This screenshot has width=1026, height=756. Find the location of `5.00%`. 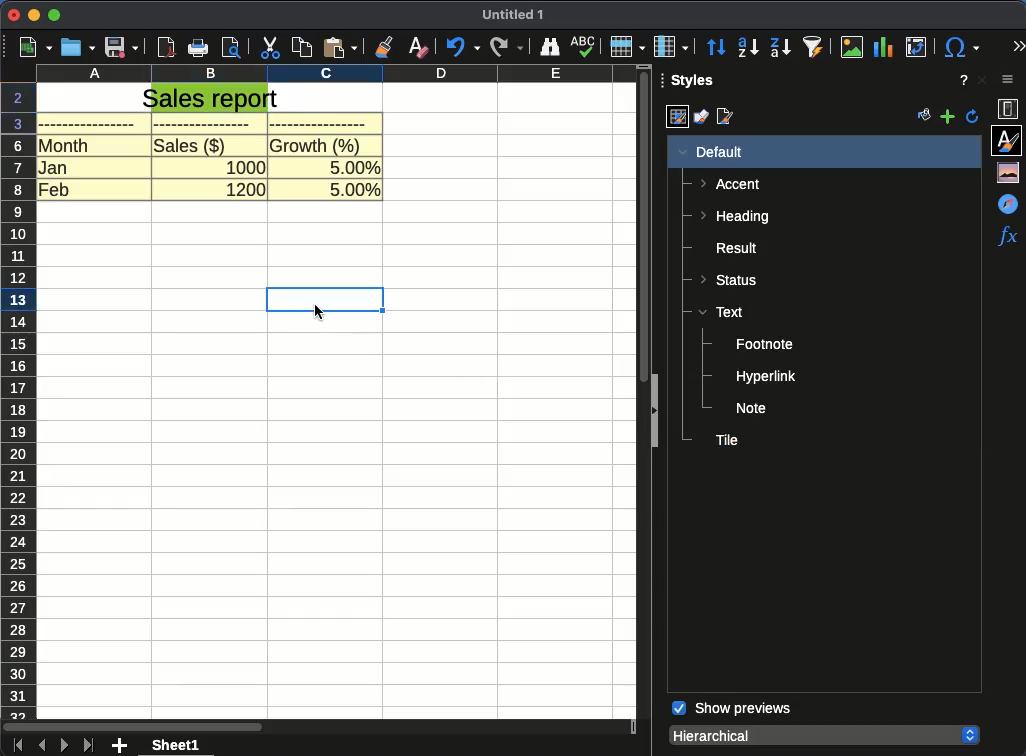

5.00% is located at coordinates (353, 189).